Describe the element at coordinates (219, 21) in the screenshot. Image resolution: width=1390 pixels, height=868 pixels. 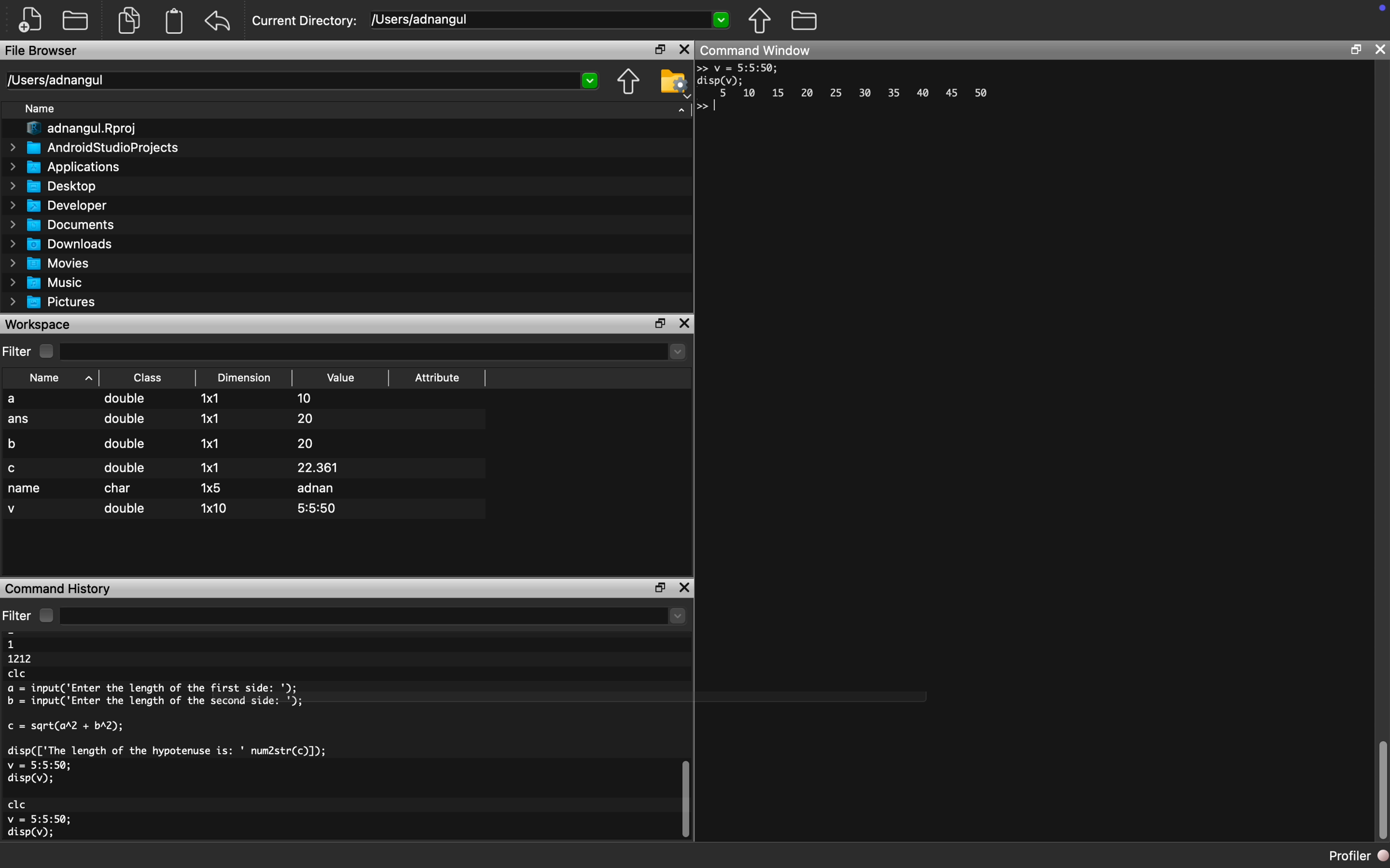
I see `Back` at that location.